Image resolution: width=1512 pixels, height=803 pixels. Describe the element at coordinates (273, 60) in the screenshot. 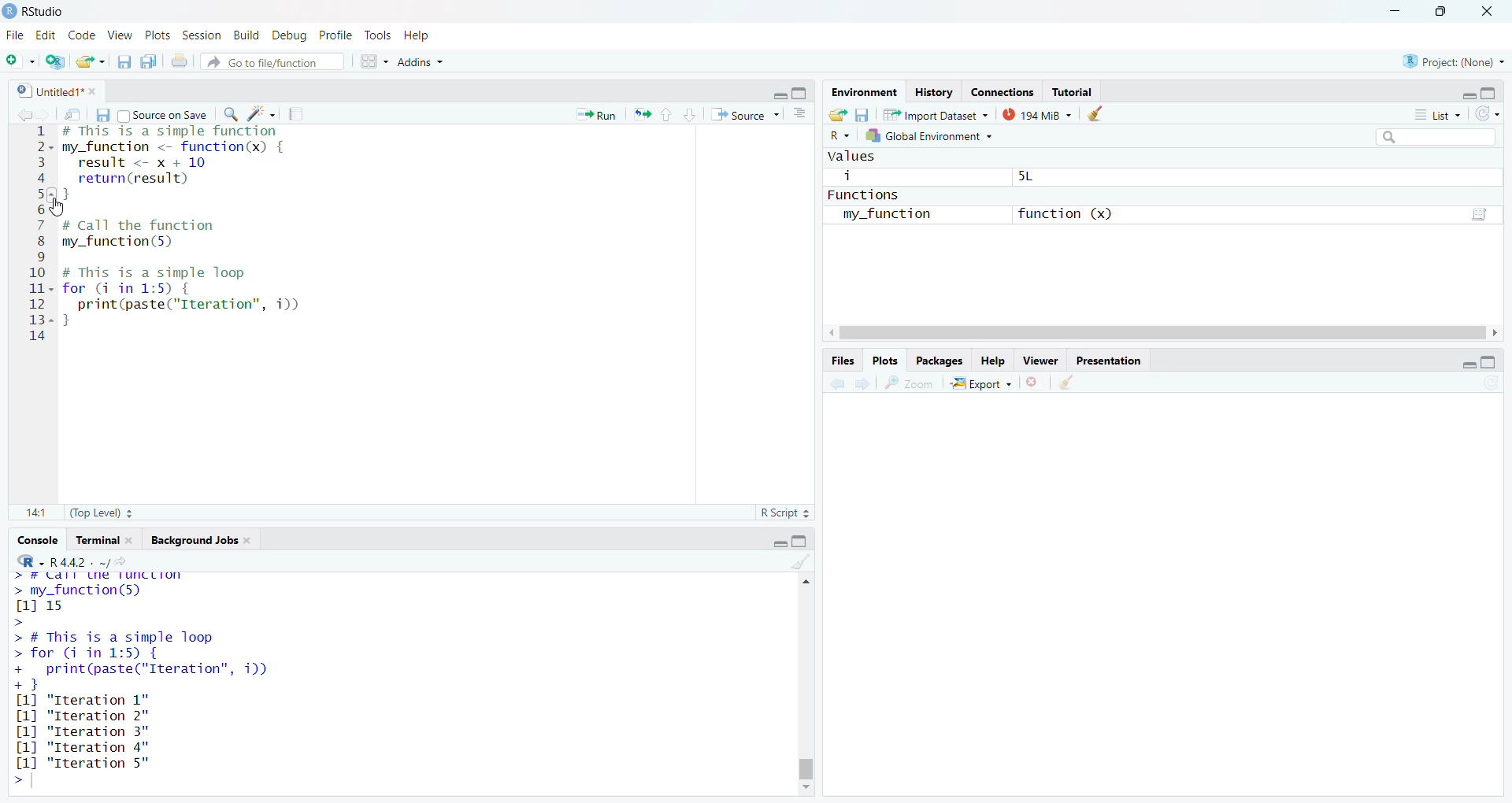

I see `go to file/function` at that location.